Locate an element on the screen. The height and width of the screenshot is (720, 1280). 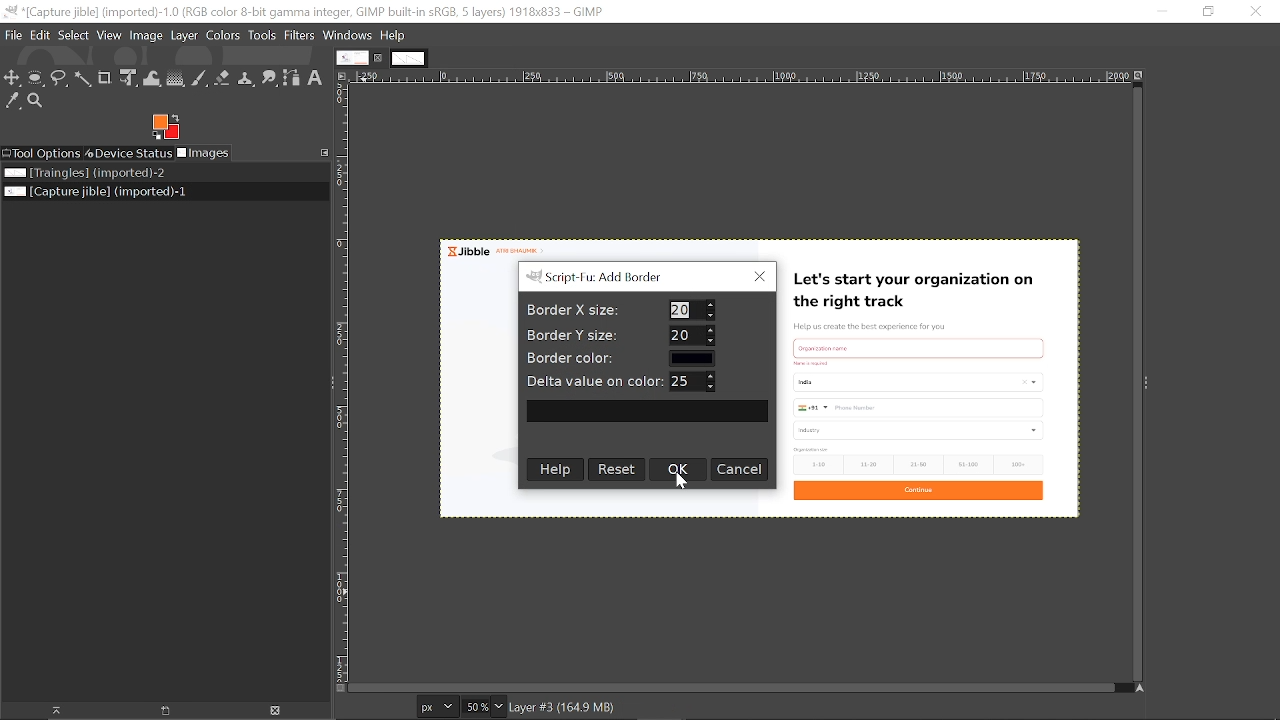
Current tab is located at coordinates (351, 58).